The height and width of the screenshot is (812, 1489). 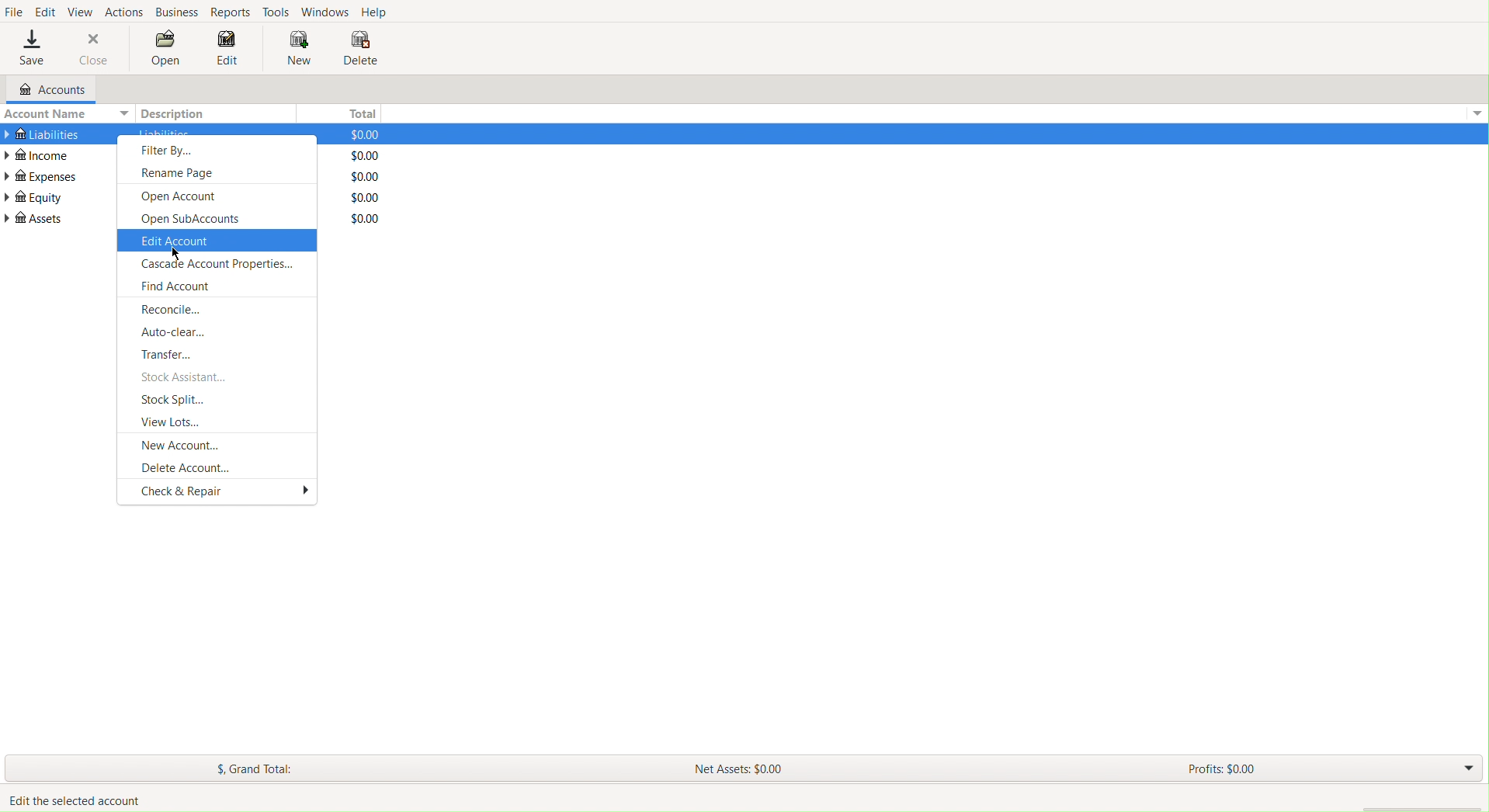 What do you see at coordinates (177, 12) in the screenshot?
I see `Business` at bounding box center [177, 12].